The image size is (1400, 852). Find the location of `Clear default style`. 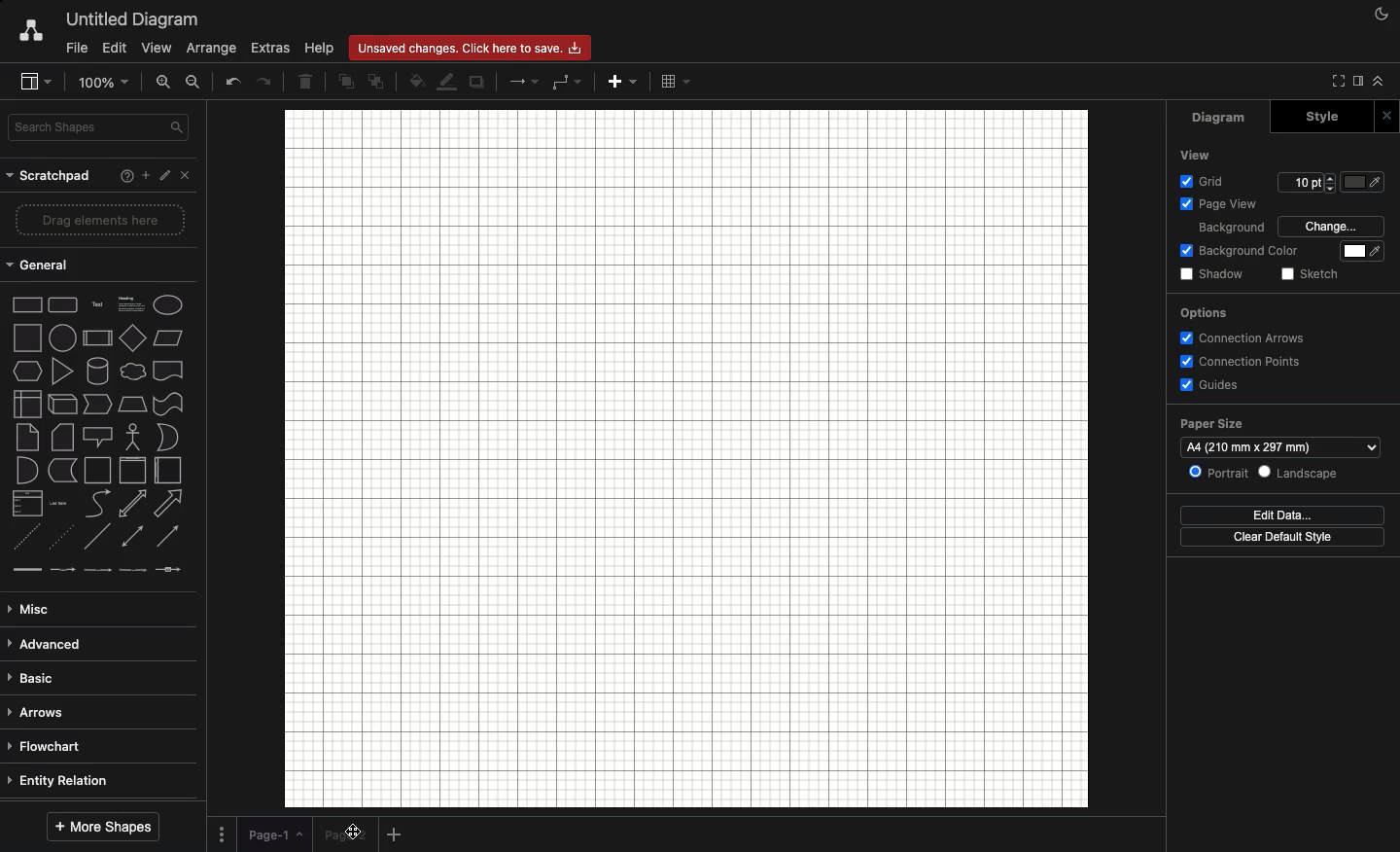

Clear default style is located at coordinates (1276, 538).